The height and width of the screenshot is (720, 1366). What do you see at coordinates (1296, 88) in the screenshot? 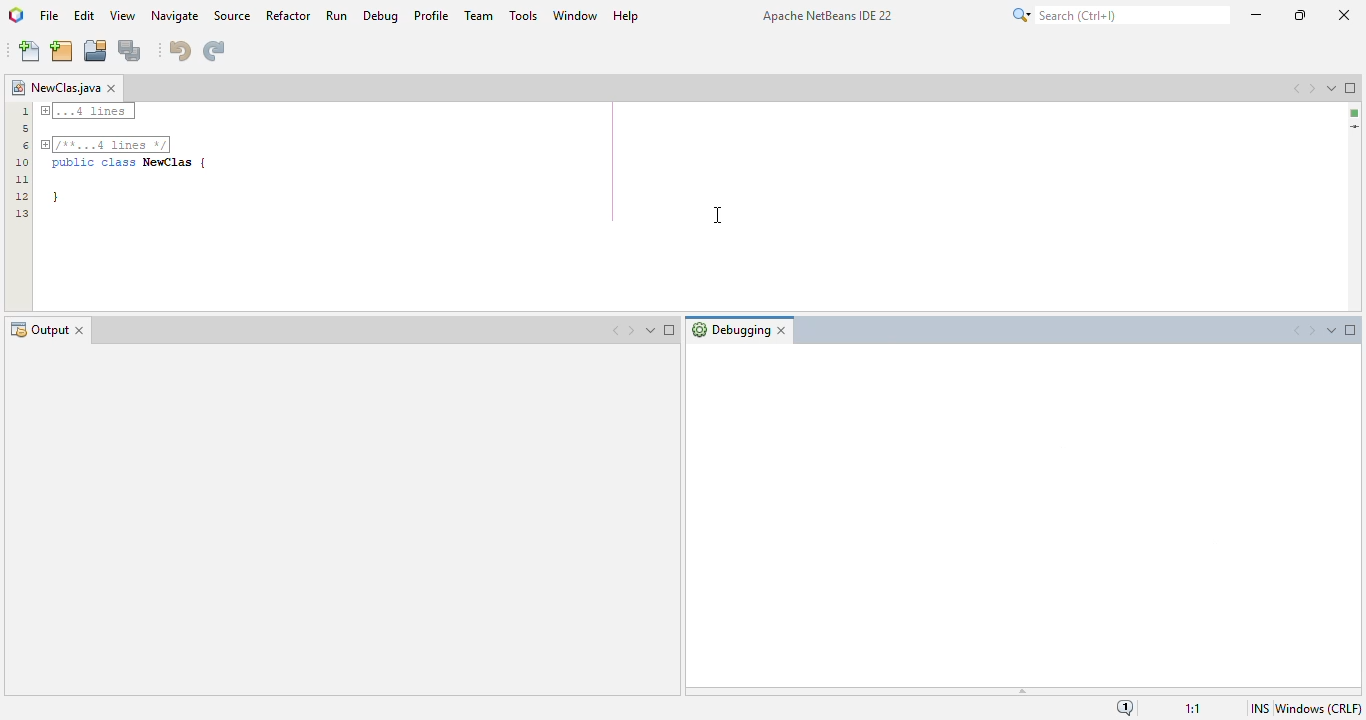
I see `scroll documents left` at bounding box center [1296, 88].